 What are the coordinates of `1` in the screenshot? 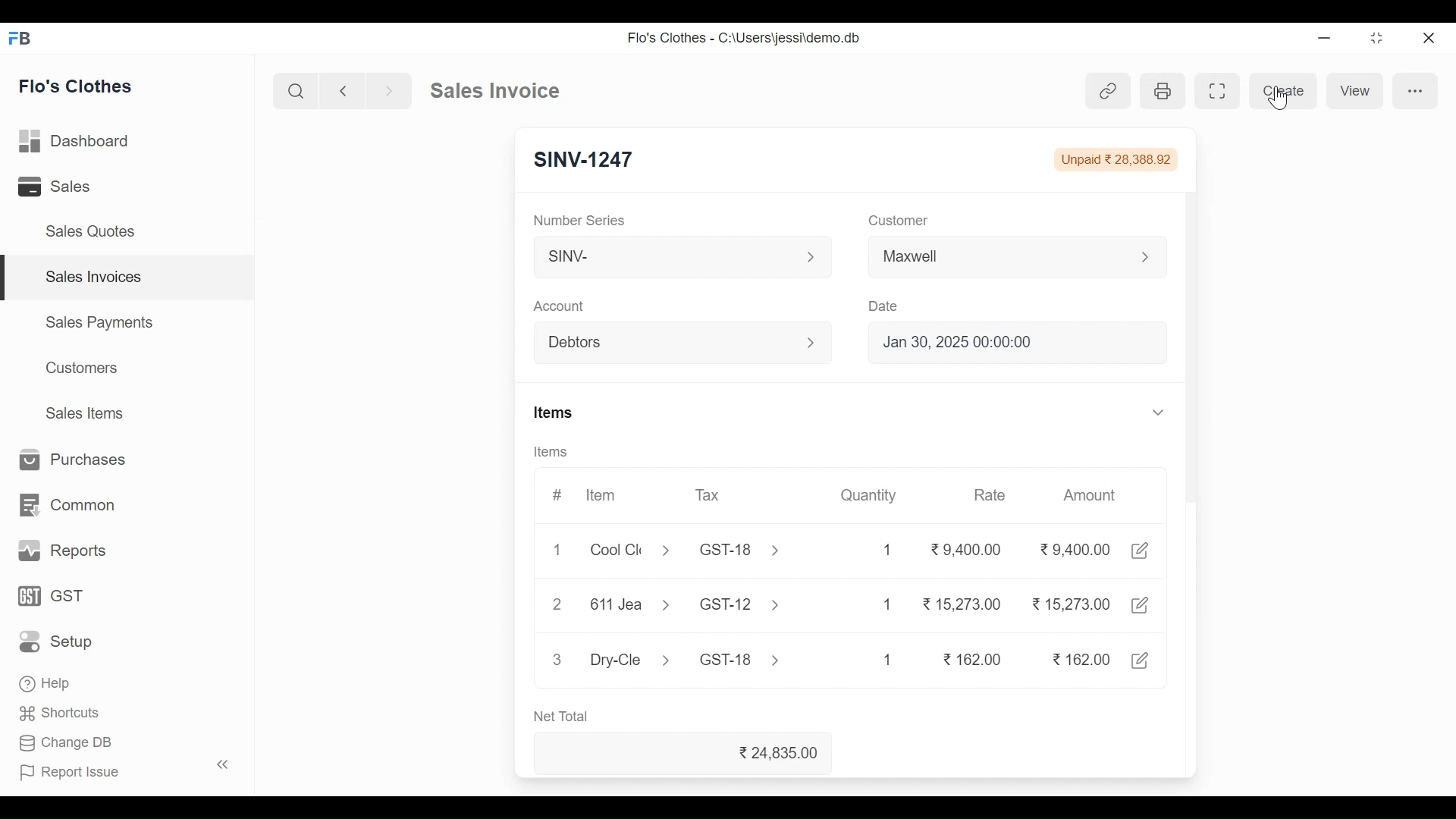 It's located at (557, 549).